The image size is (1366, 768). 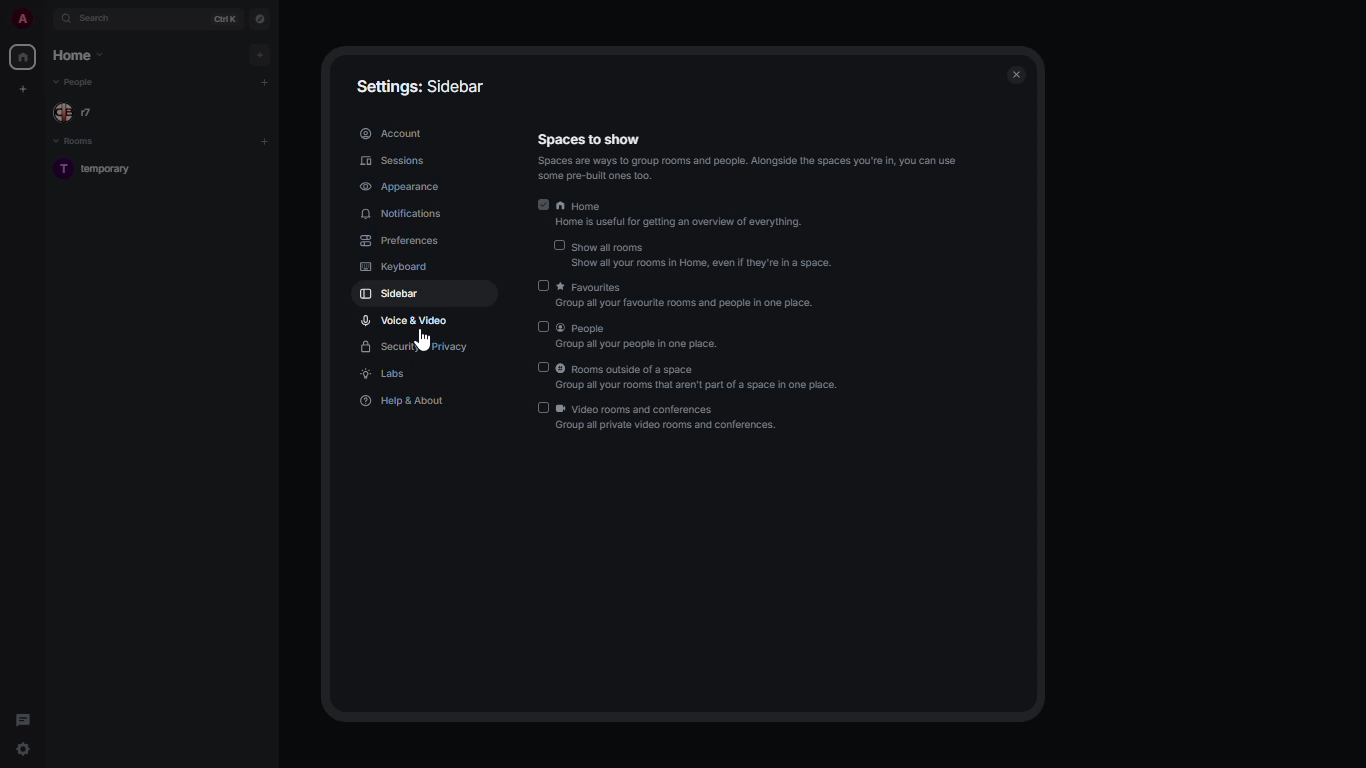 I want to click on add, so click(x=262, y=55).